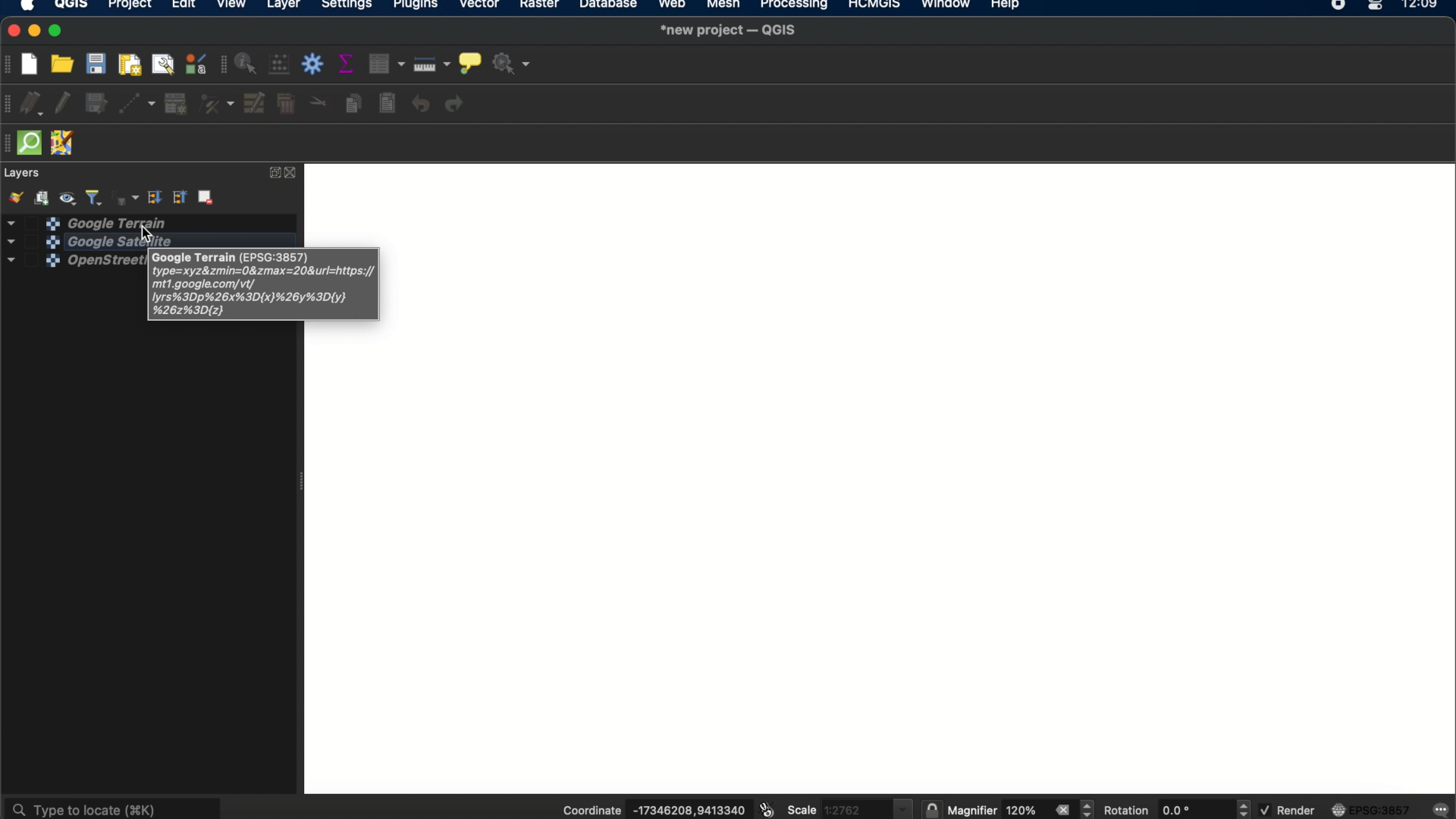  I want to click on show summary statistics, so click(349, 64).